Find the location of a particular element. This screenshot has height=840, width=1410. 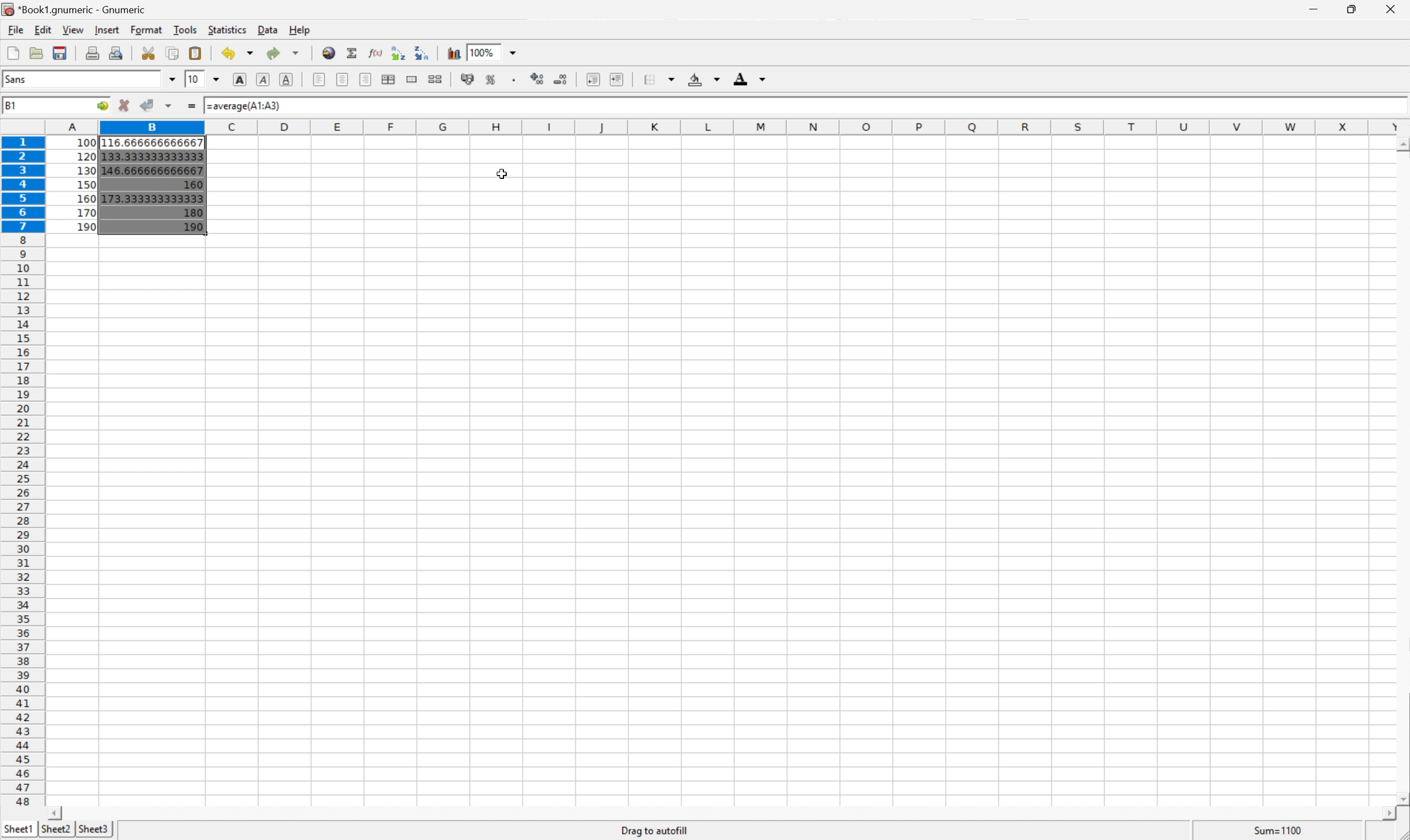

190 is located at coordinates (190, 228).